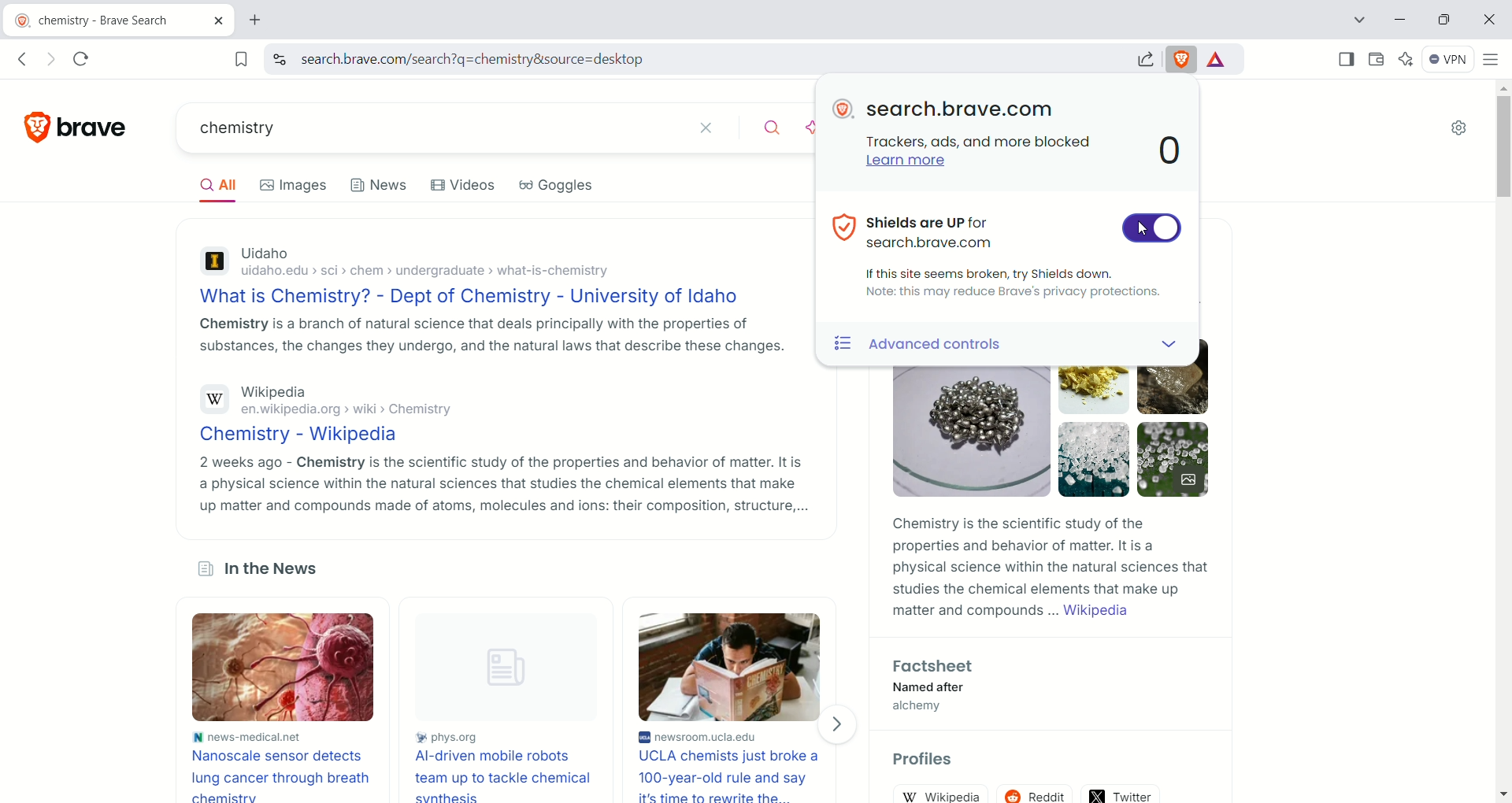 Image resolution: width=1512 pixels, height=803 pixels. Describe the element at coordinates (27, 58) in the screenshot. I see `click to go back, hold to see history` at that location.